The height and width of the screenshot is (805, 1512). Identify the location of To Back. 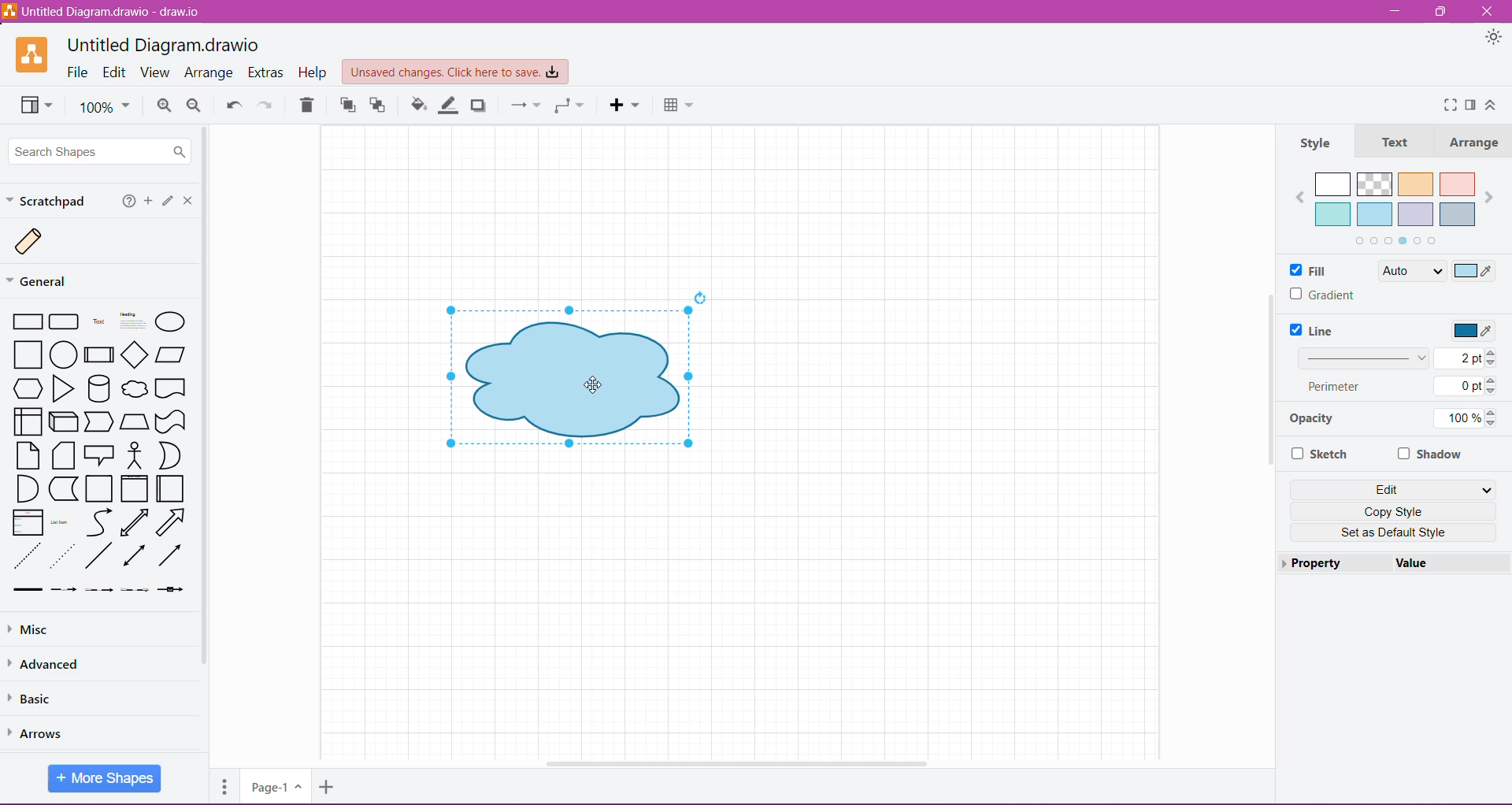
(379, 106).